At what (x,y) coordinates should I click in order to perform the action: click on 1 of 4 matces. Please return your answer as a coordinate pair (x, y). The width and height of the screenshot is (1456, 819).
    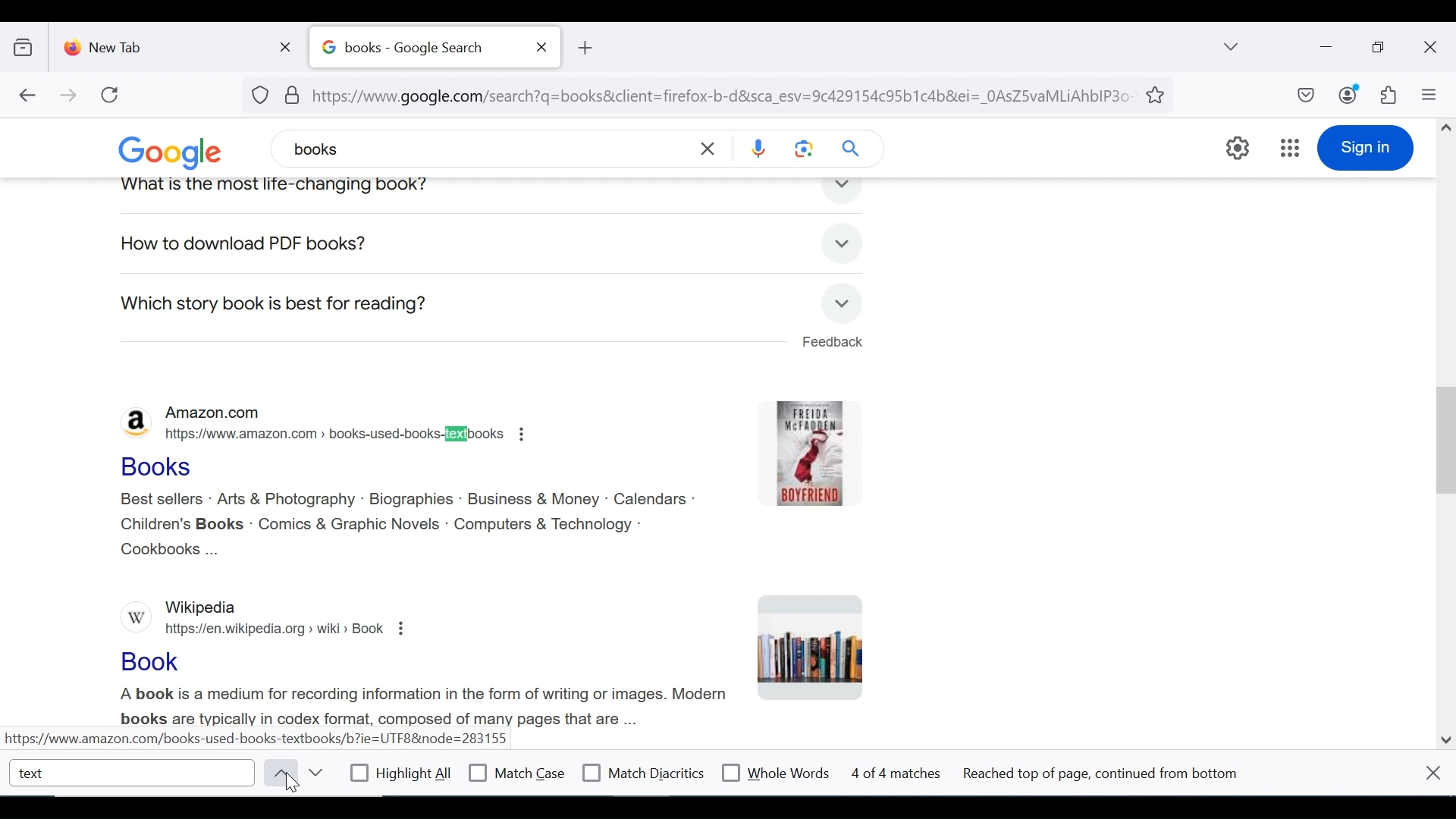
    Looking at the image, I should click on (899, 773).